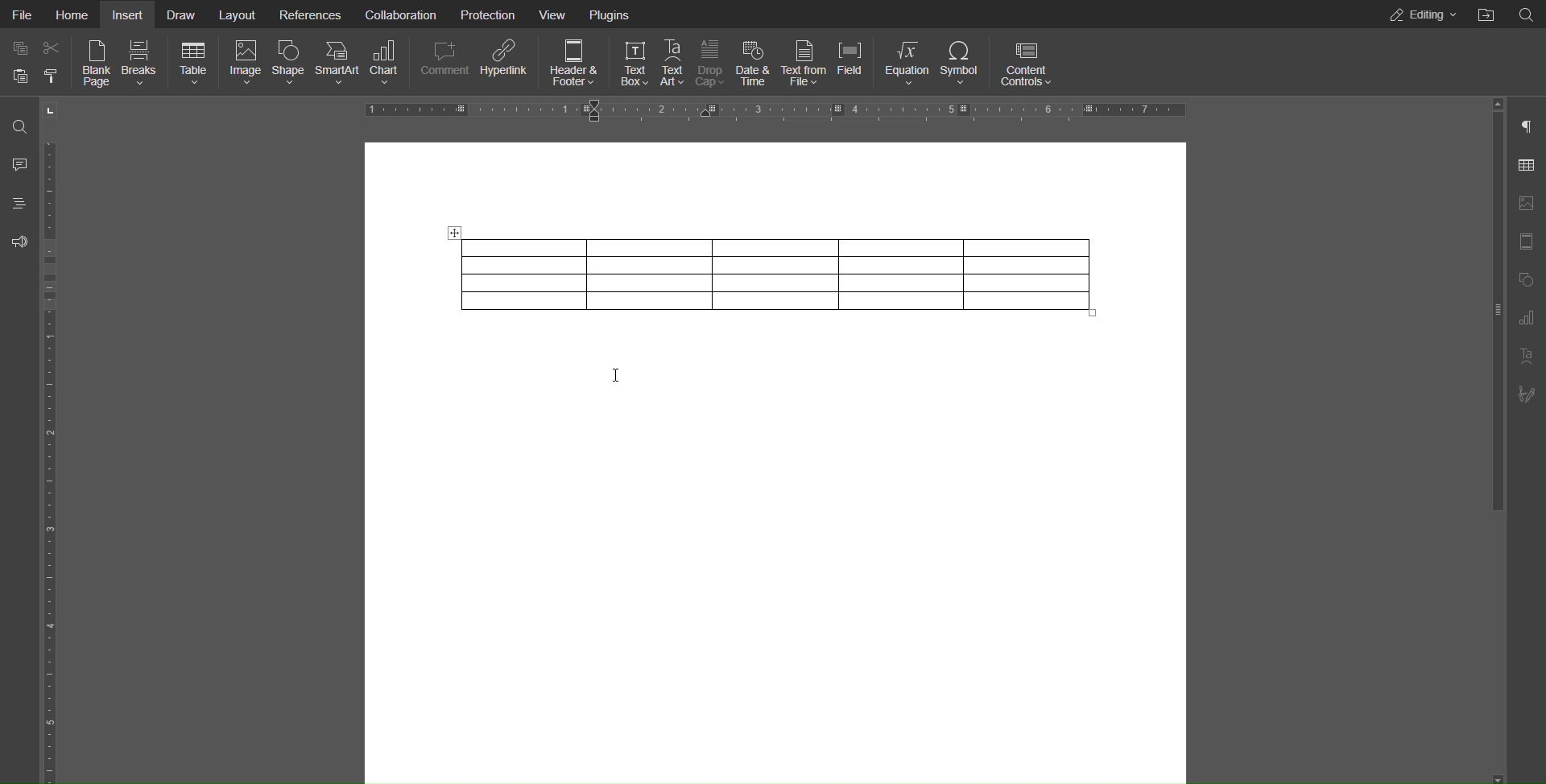 This screenshot has height=784, width=1546. Describe the element at coordinates (677, 64) in the screenshot. I see `Text Art` at that location.